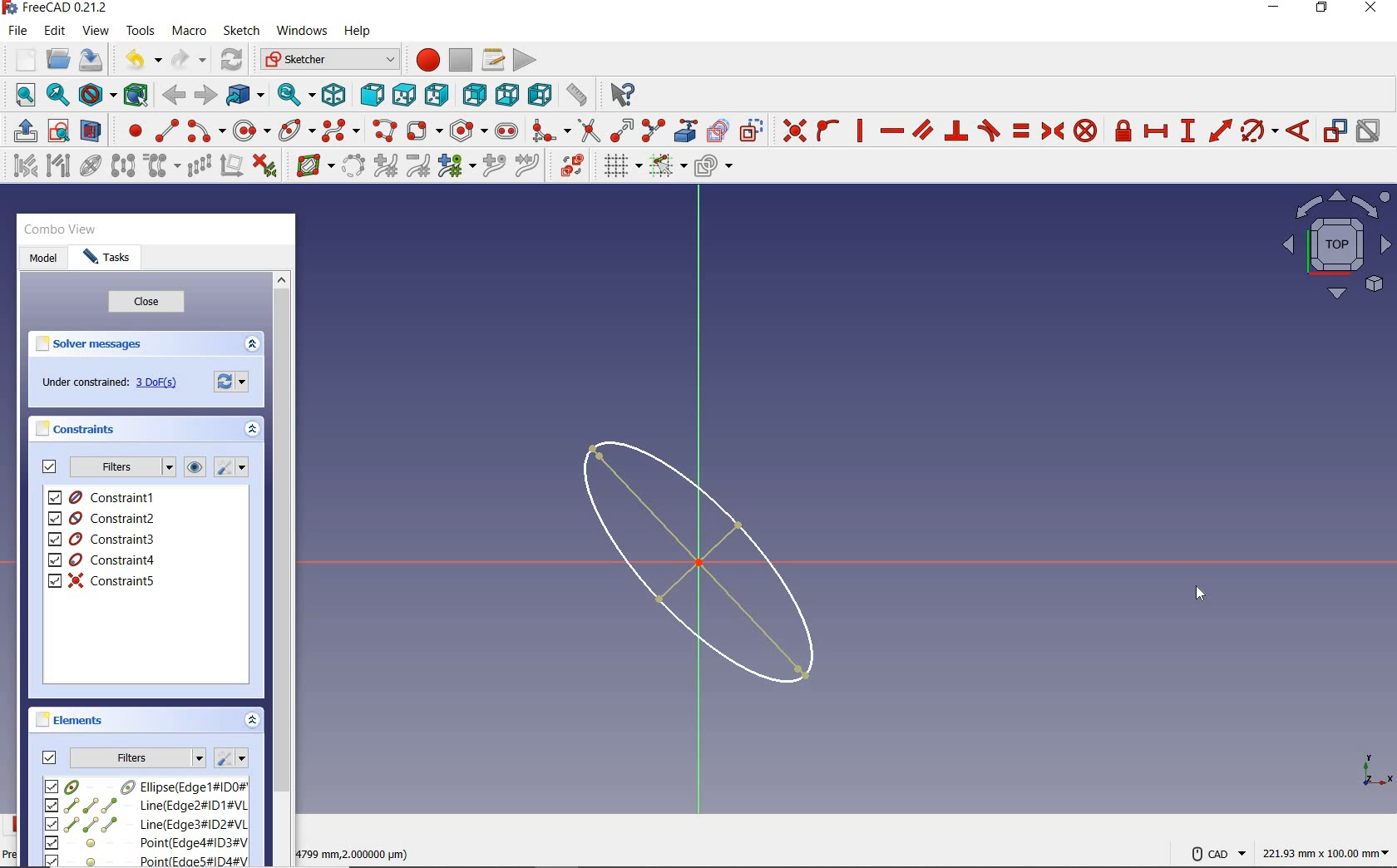 The height and width of the screenshot is (868, 1397). Describe the element at coordinates (300, 32) in the screenshot. I see `windows` at that location.